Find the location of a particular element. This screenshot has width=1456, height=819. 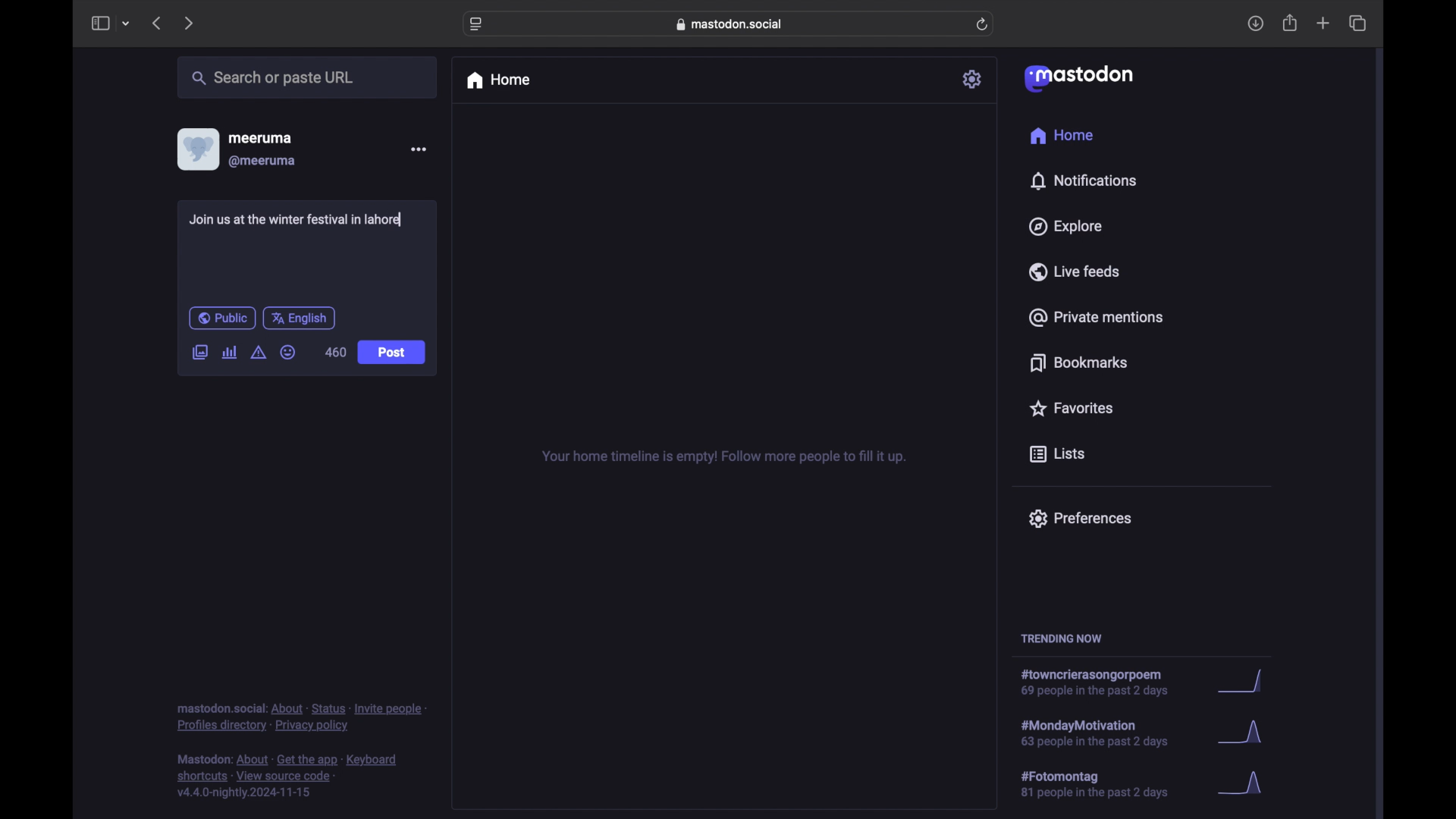

sidebar is located at coordinates (99, 23).